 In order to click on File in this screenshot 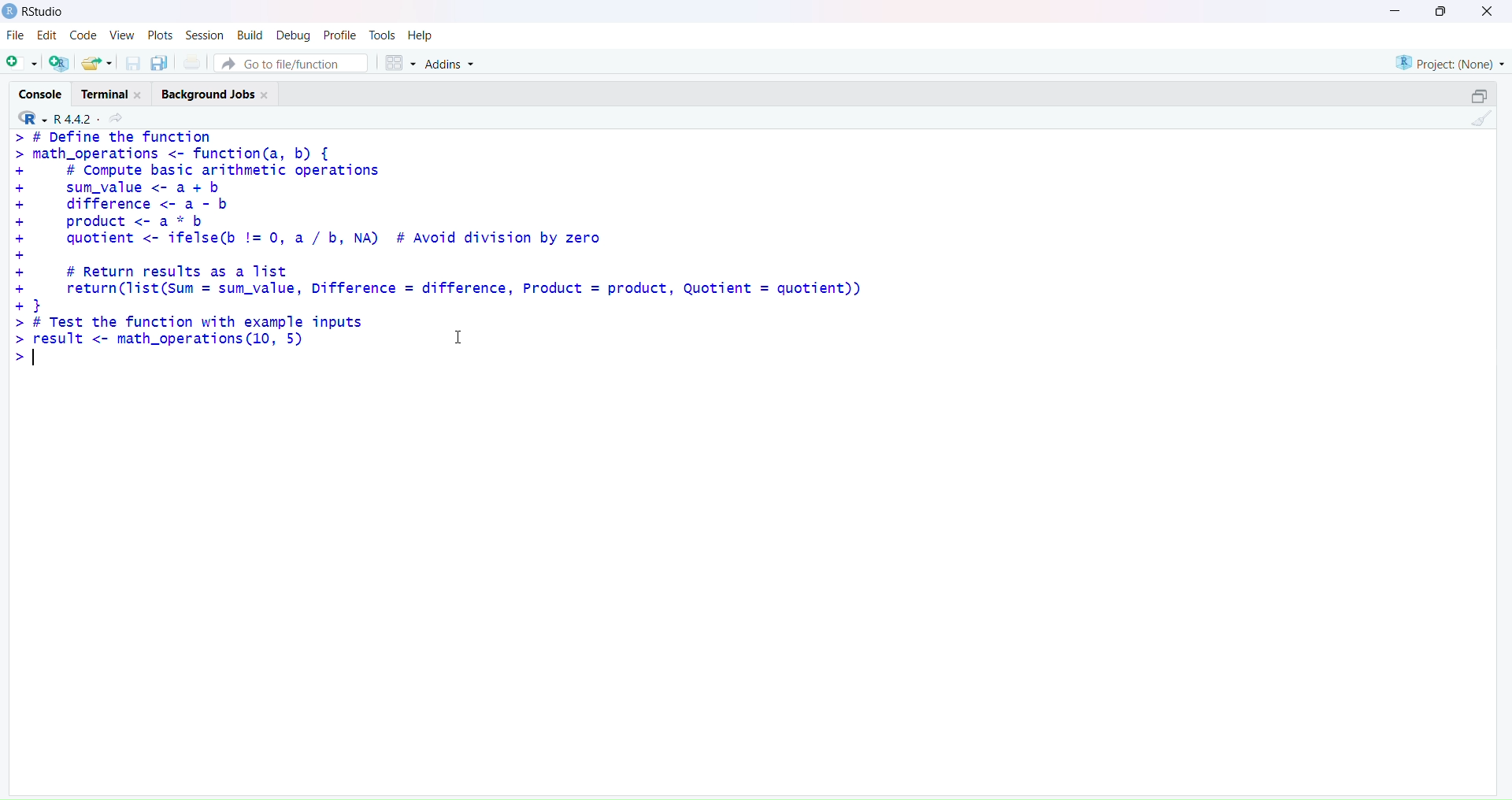, I will do `click(13, 36)`.